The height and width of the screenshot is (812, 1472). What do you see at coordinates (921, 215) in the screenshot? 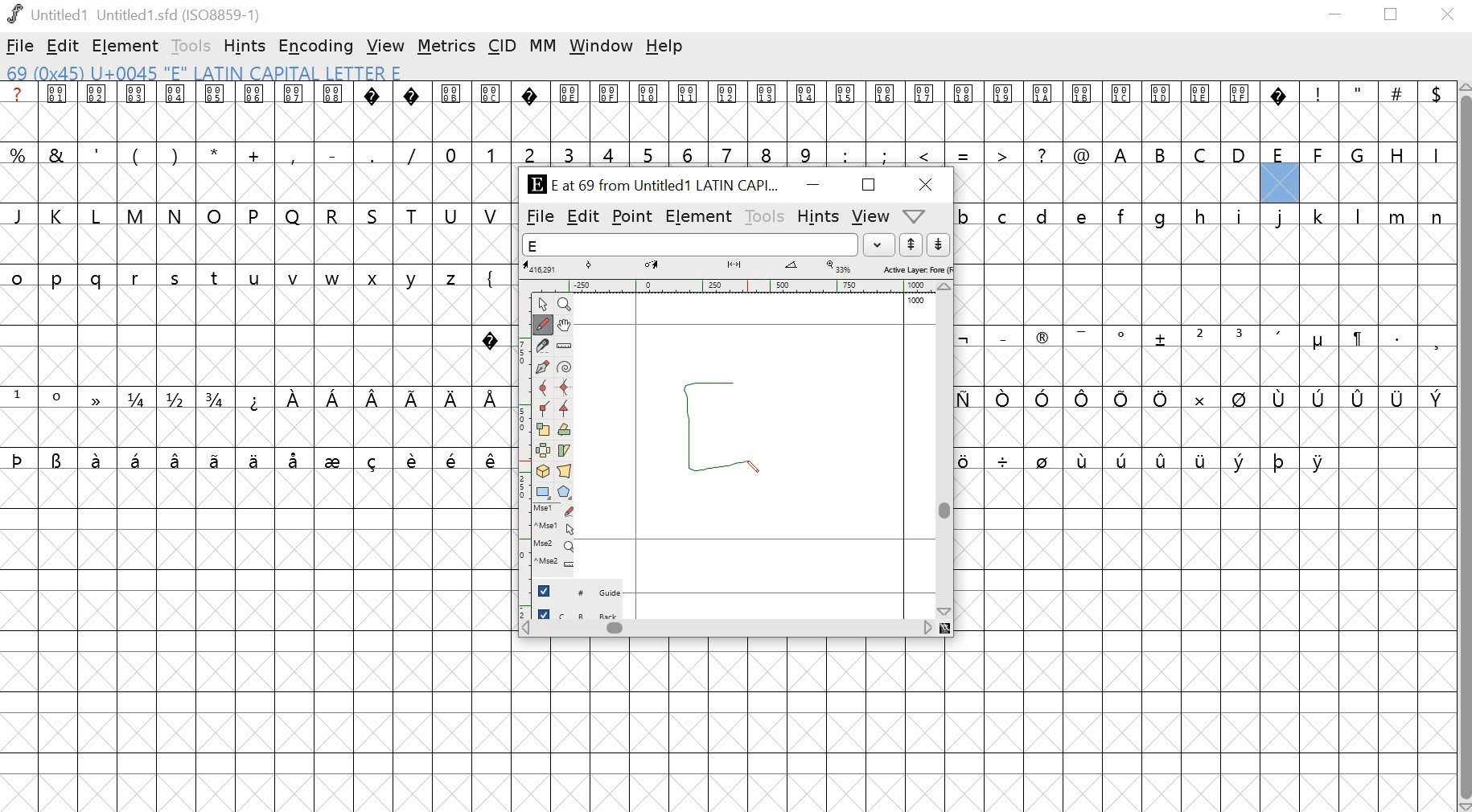
I see `dropdown menu` at bounding box center [921, 215].